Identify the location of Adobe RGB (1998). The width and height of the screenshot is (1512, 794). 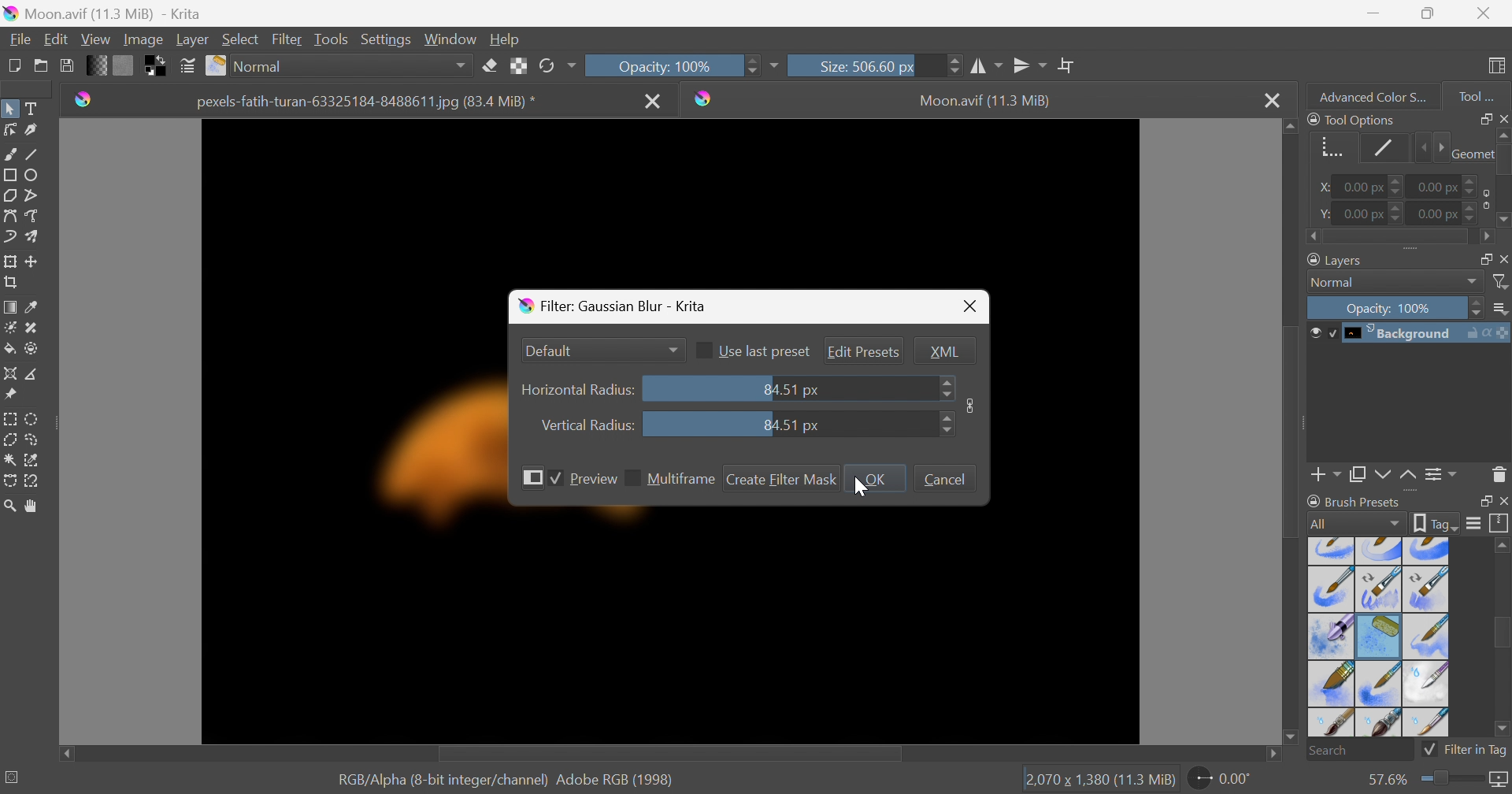
(613, 779).